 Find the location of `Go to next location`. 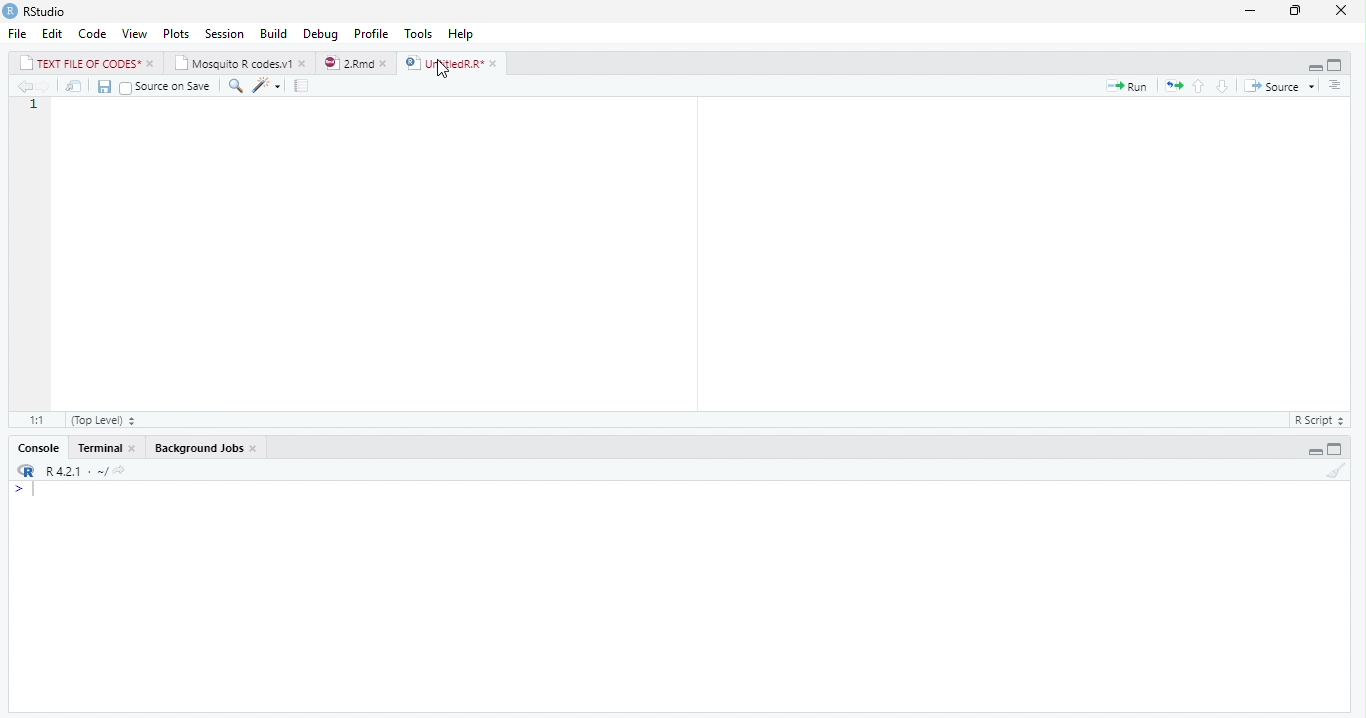

Go to next location is located at coordinates (44, 87).